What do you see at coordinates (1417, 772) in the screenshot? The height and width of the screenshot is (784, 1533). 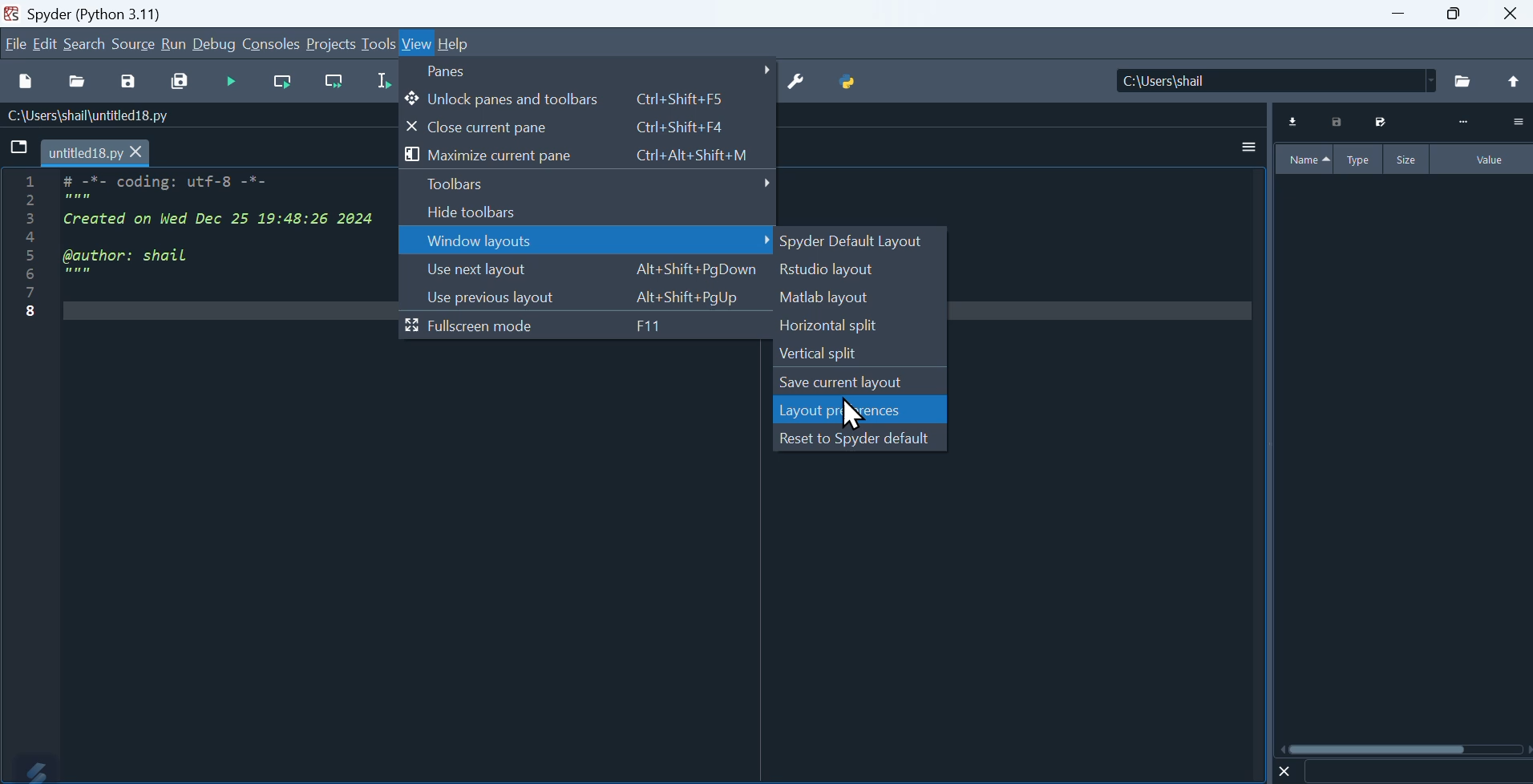 I see `Search bar` at bounding box center [1417, 772].